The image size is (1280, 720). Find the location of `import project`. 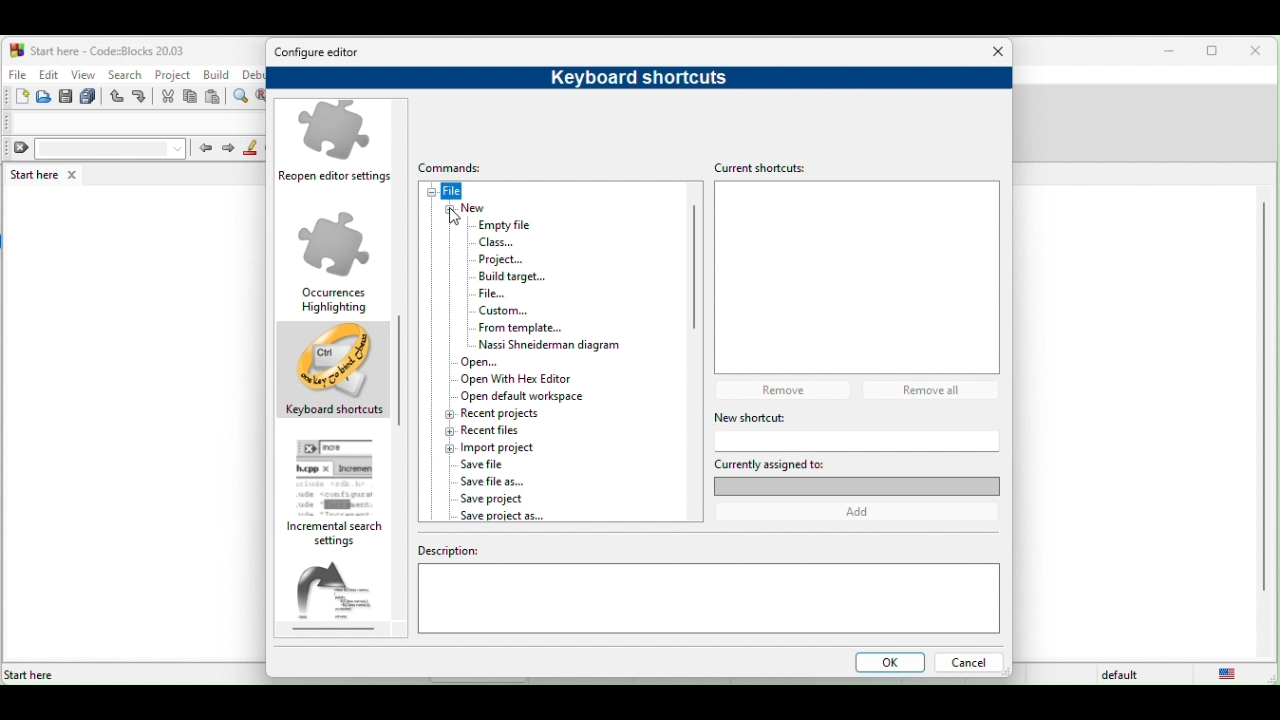

import project is located at coordinates (497, 447).